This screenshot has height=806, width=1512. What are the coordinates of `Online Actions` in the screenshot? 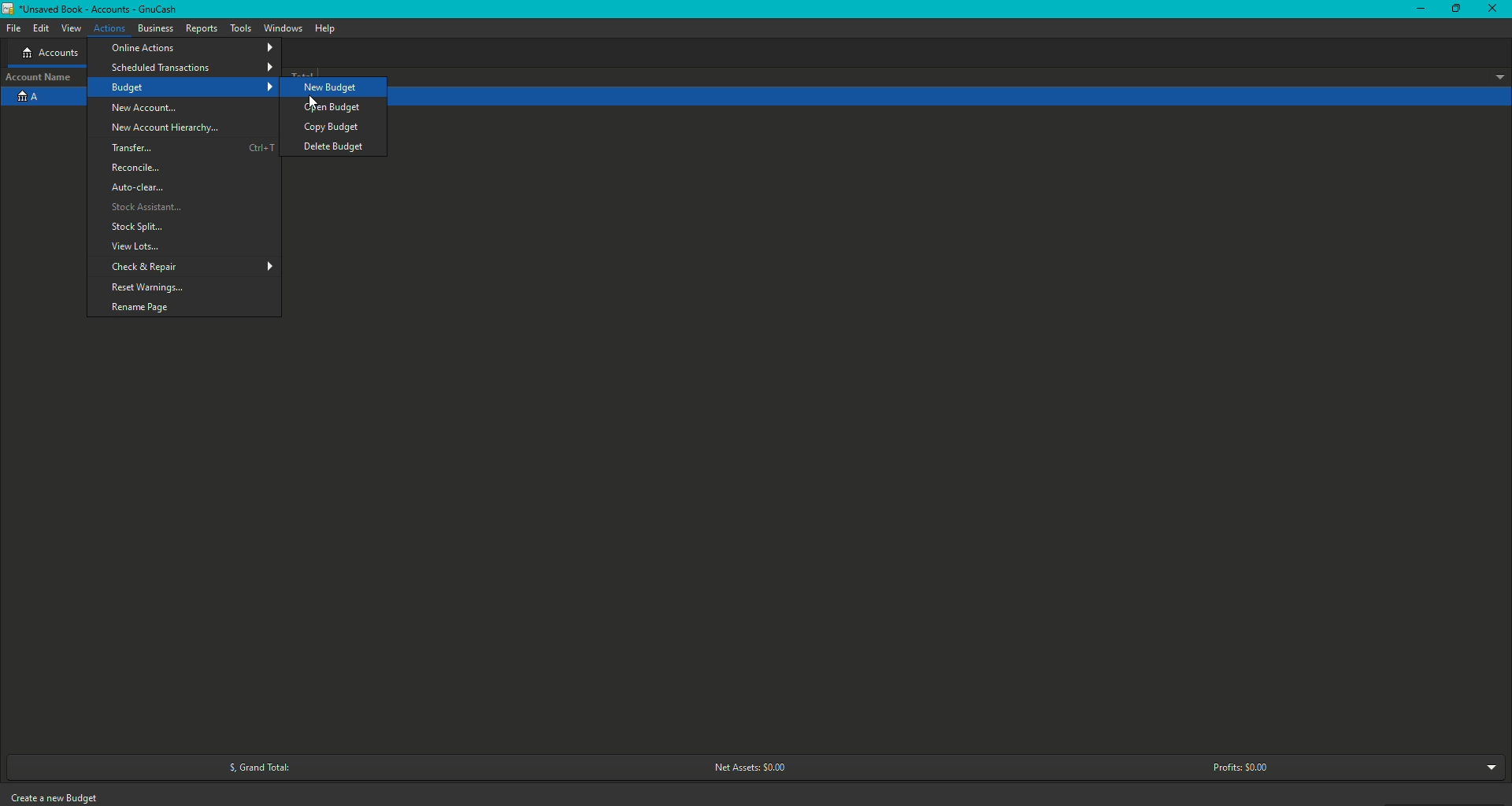 It's located at (192, 48).